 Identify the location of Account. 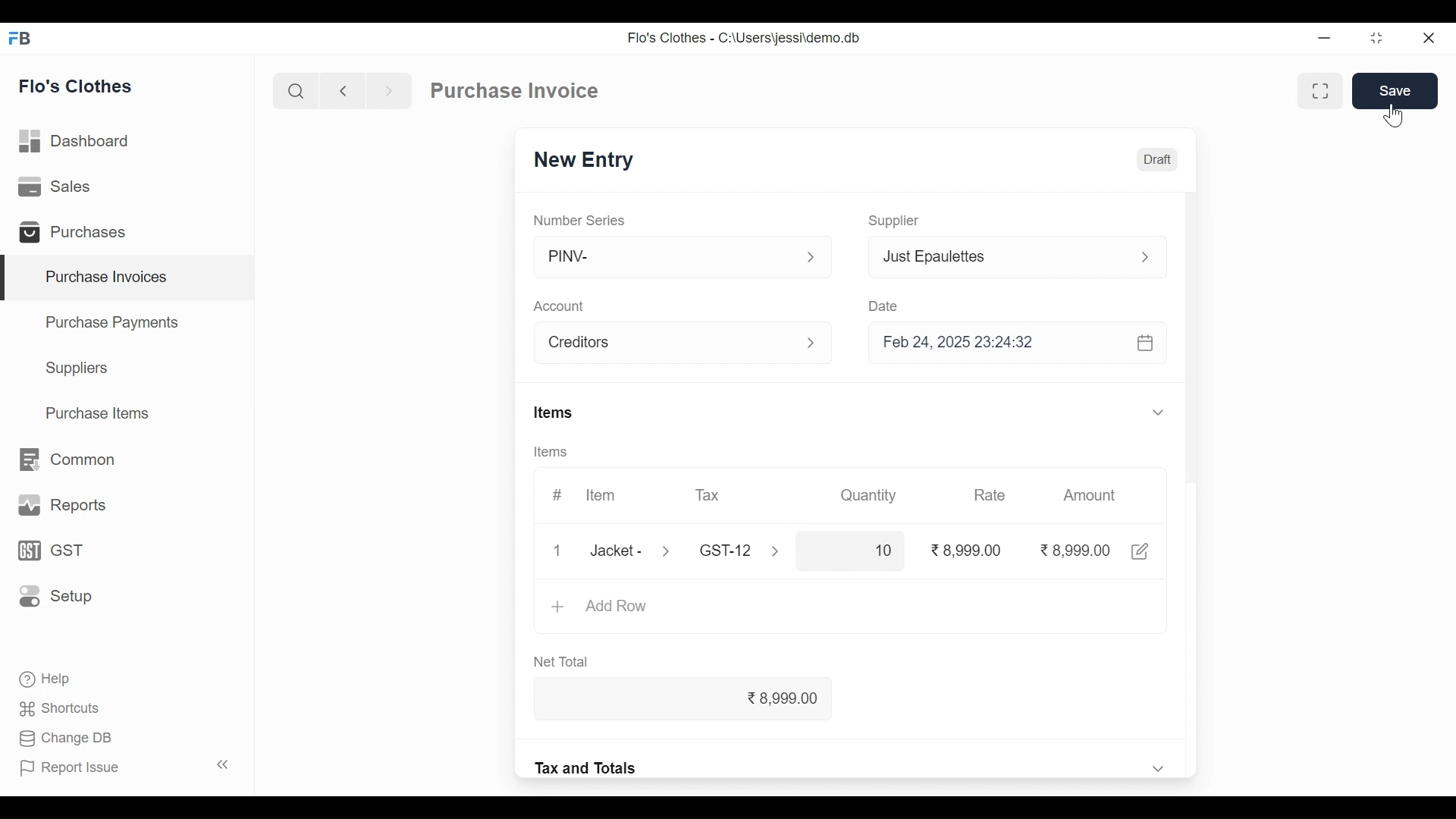
(560, 306).